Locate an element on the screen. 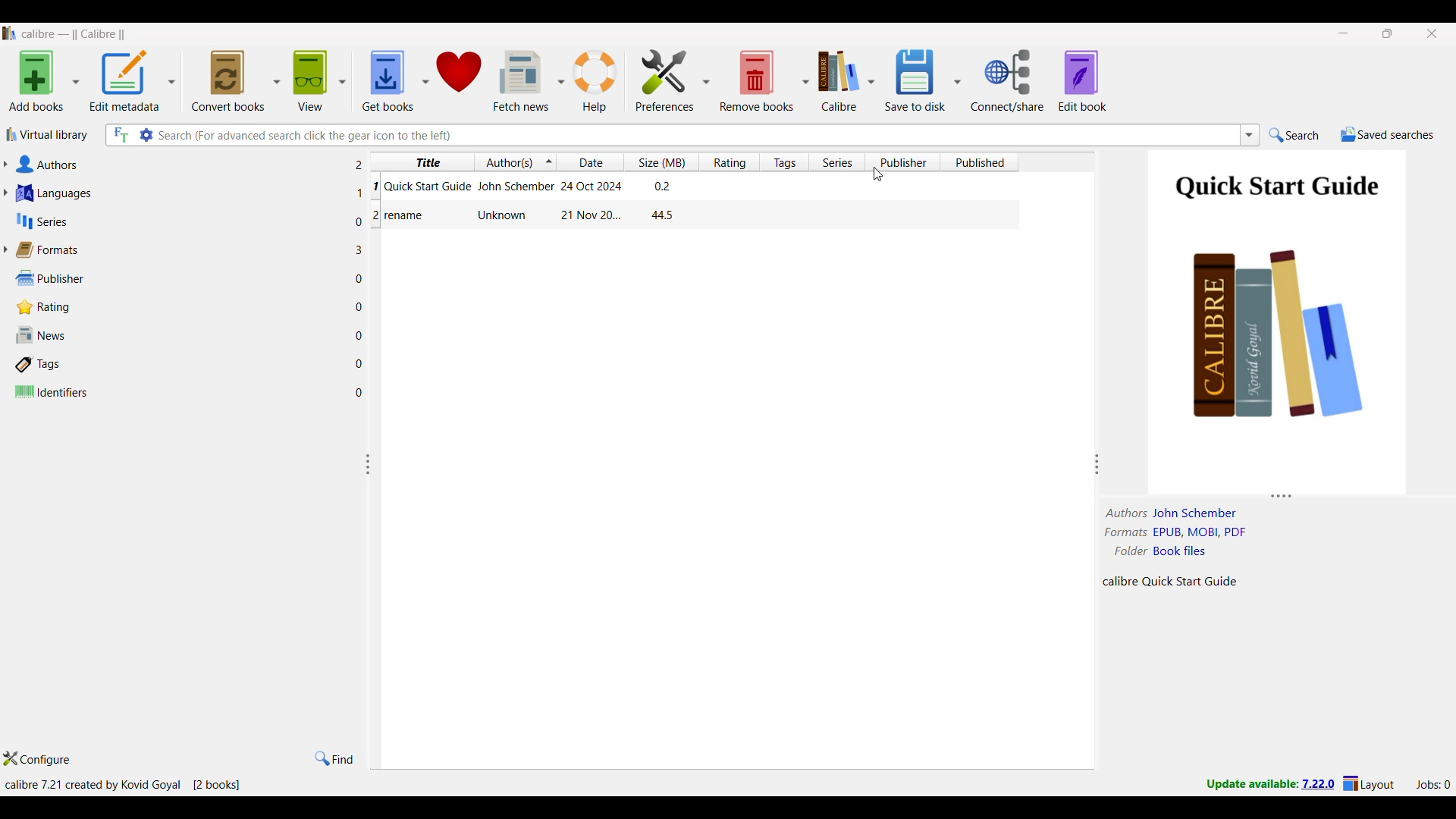 Image resolution: width=1456 pixels, height=819 pixels. Connect/share is located at coordinates (1007, 80).